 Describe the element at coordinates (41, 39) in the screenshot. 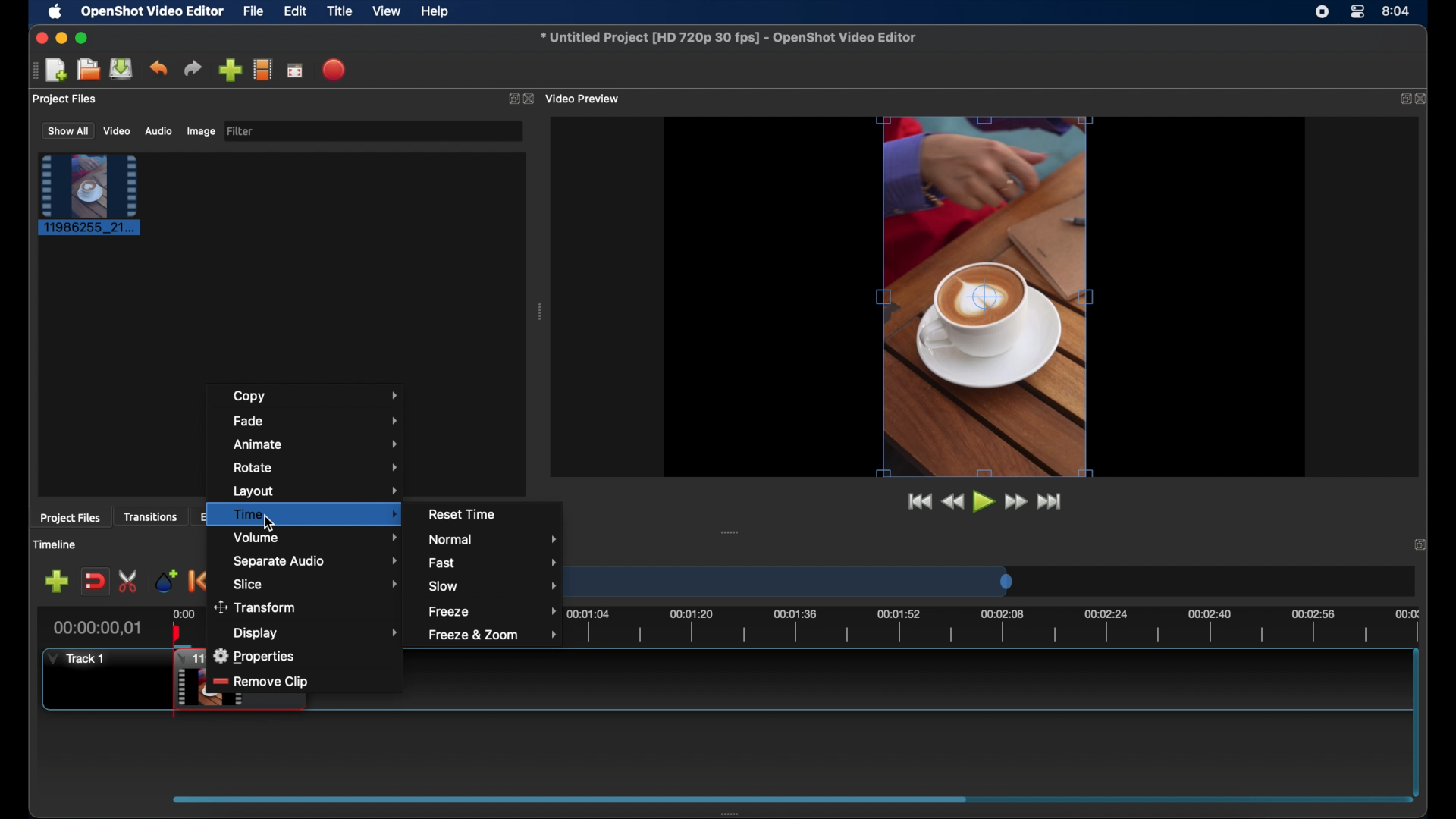

I see `close` at that location.